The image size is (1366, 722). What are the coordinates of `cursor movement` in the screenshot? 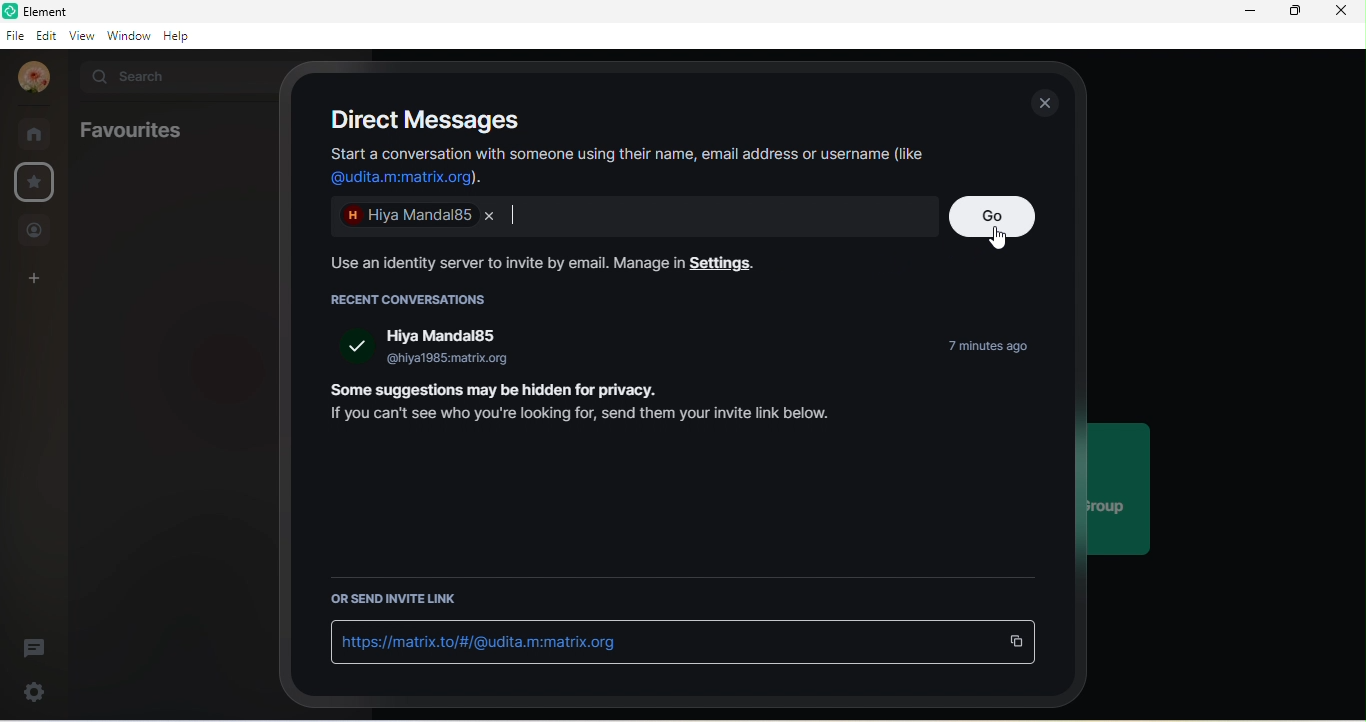 It's located at (1001, 239).